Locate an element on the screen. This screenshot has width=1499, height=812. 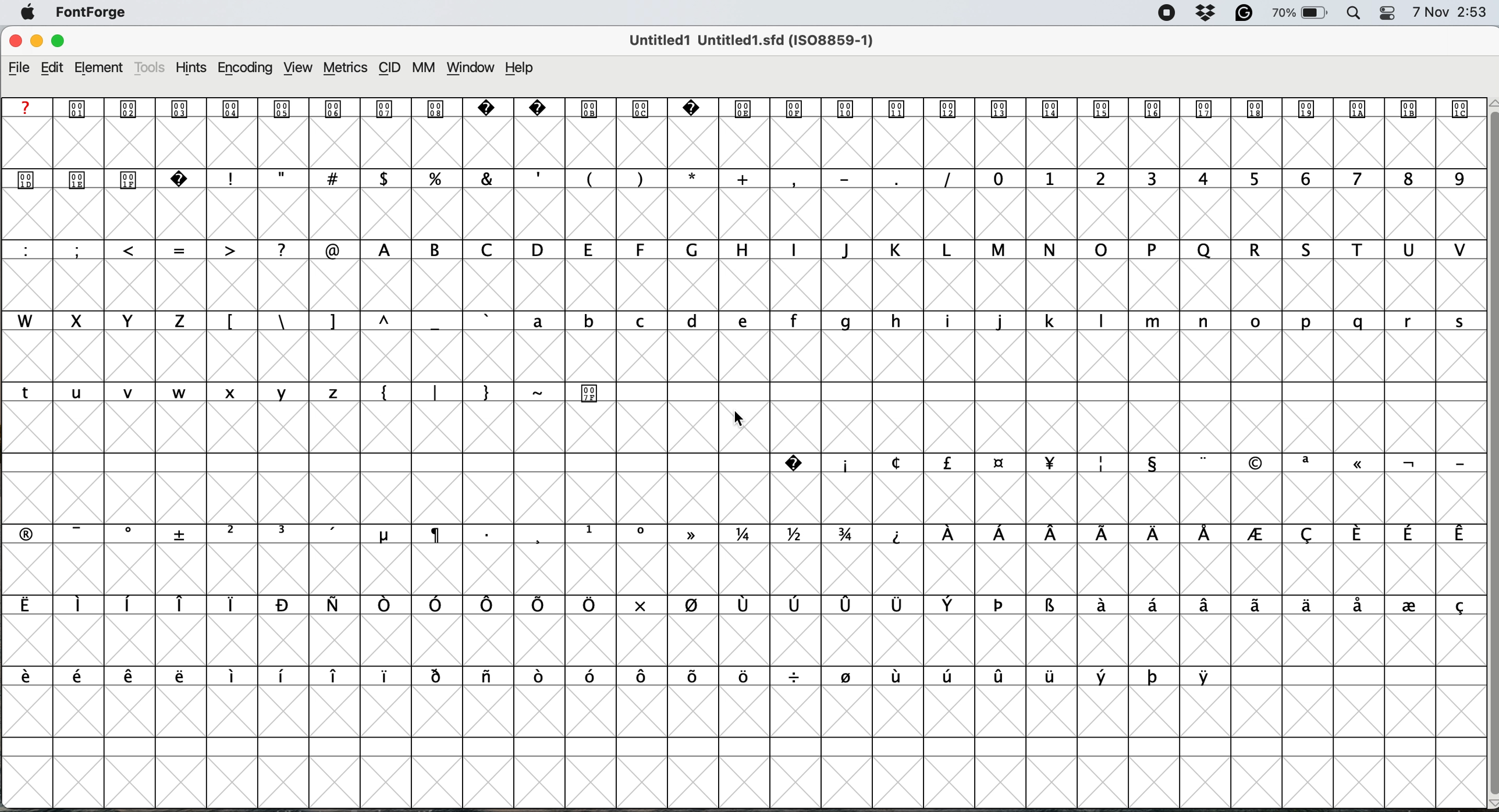
digits is located at coordinates (1225, 180).